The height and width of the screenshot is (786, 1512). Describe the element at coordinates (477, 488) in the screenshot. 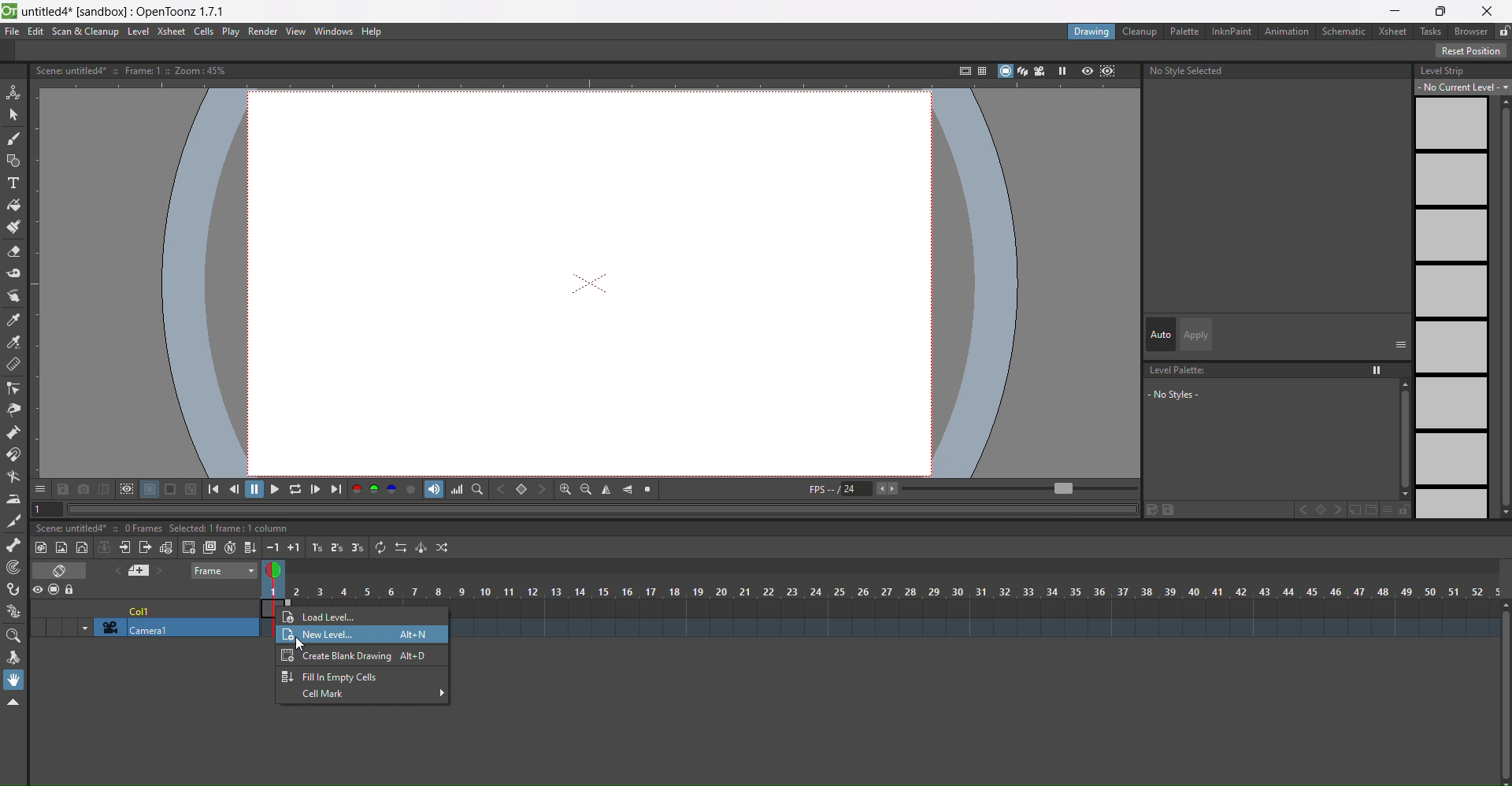

I see `locator` at that location.